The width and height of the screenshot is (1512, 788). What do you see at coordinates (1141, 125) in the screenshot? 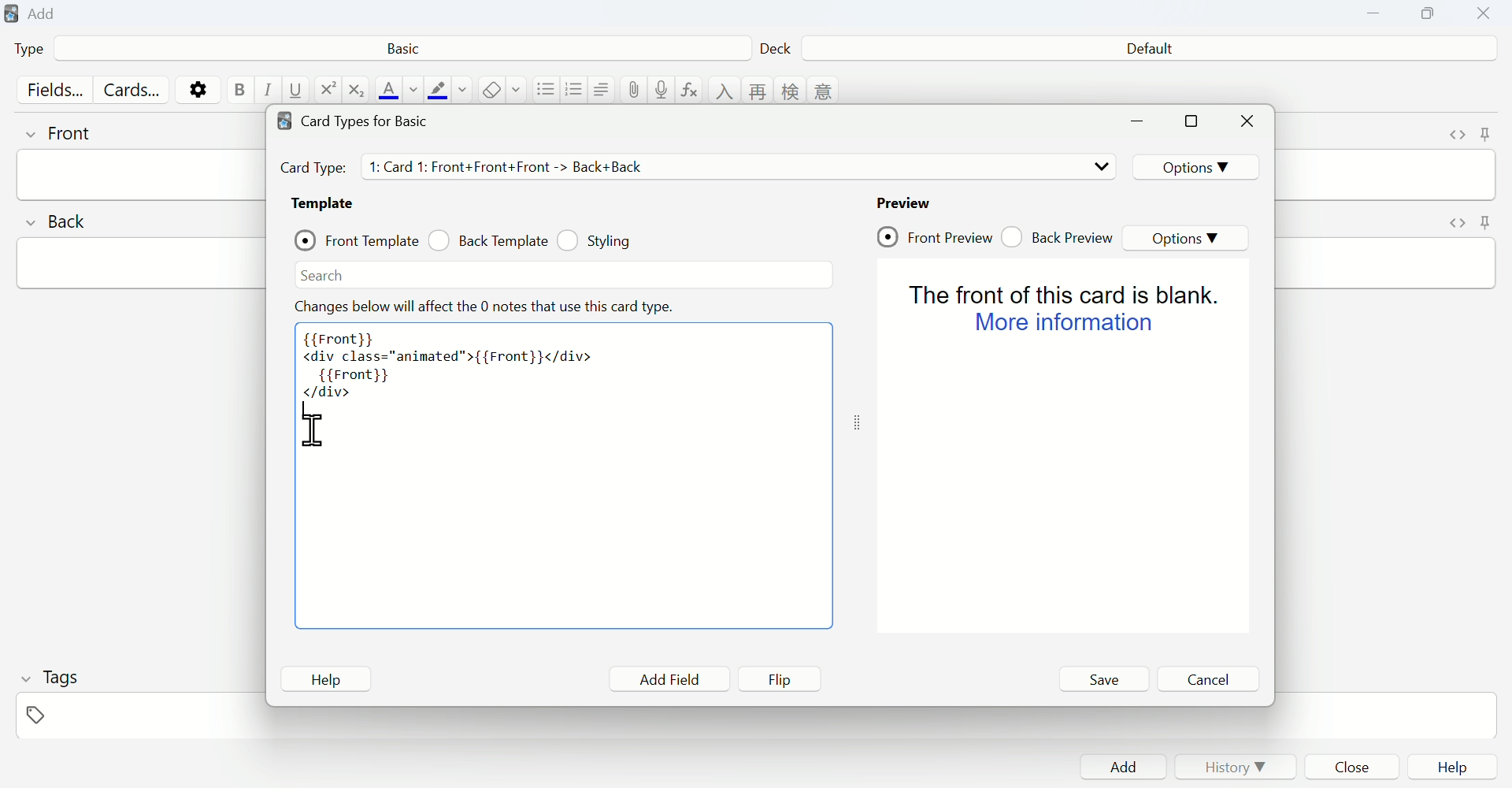
I see `minimize` at bounding box center [1141, 125].